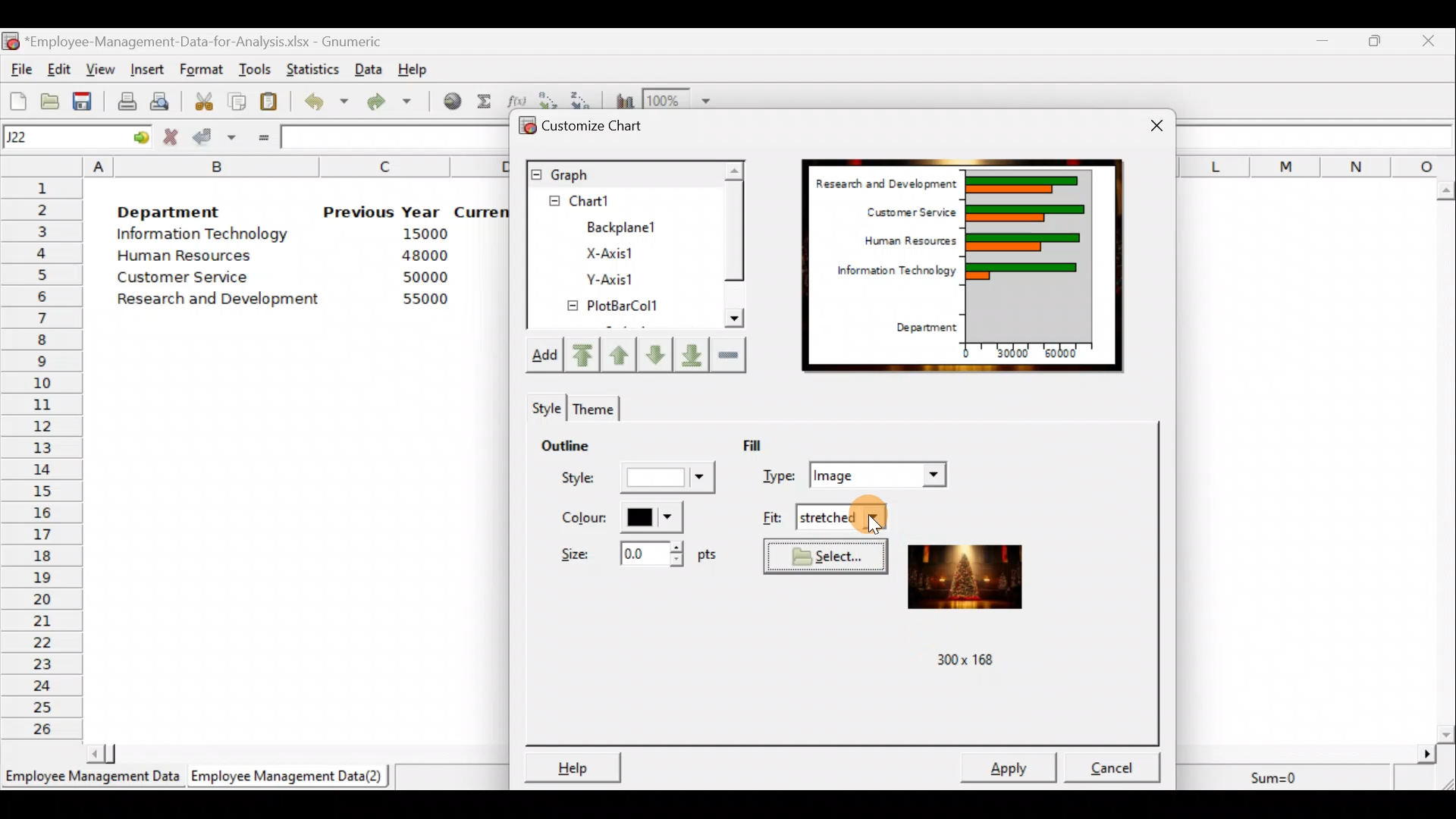 The image size is (1456, 819). Describe the element at coordinates (904, 212) in the screenshot. I see `Customer Service` at that location.